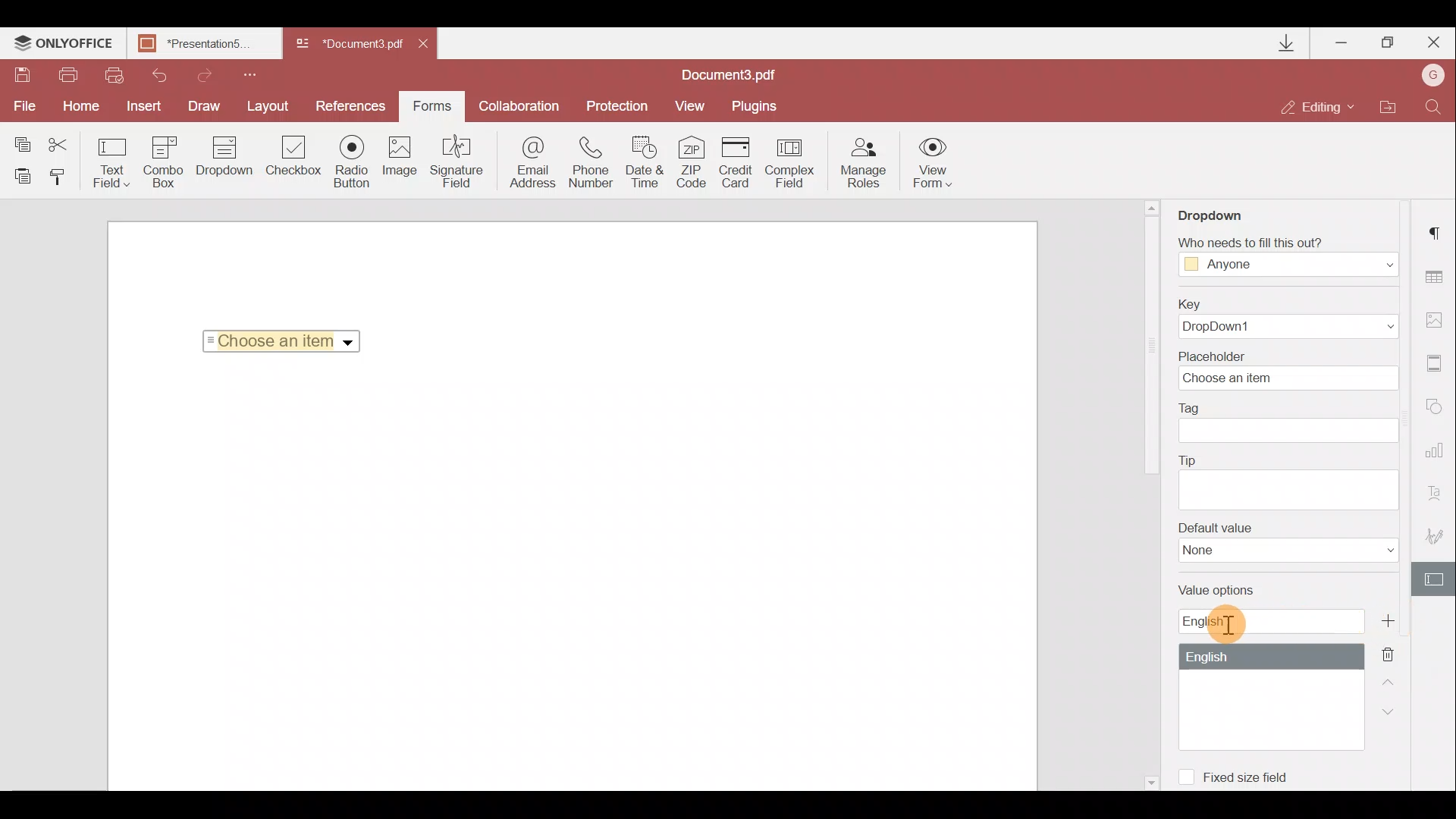  What do you see at coordinates (1289, 422) in the screenshot?
I see `Tag` at bounding box center [1289, 422].